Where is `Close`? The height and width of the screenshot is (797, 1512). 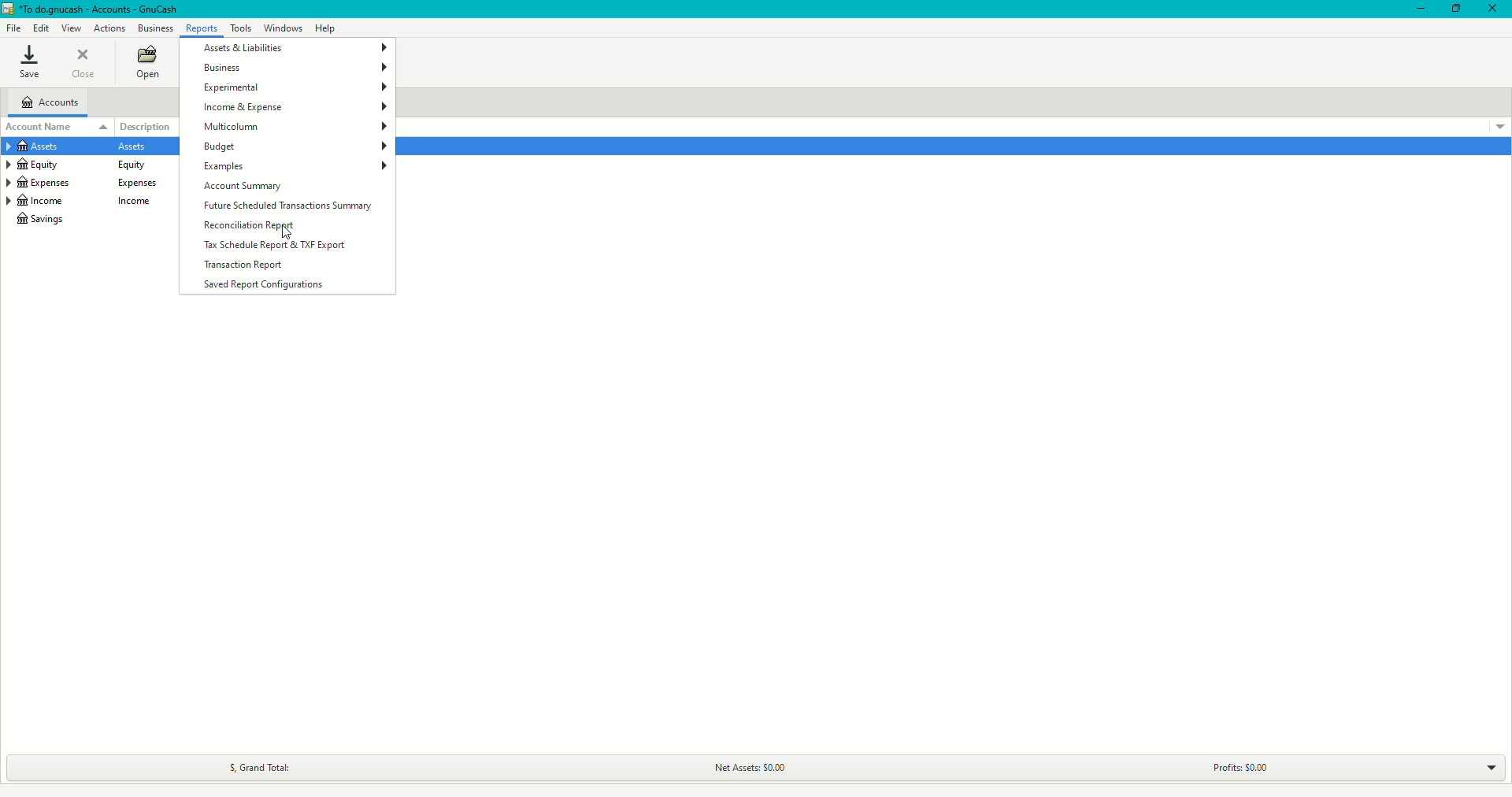 Close is located at coordinates (82, 63).